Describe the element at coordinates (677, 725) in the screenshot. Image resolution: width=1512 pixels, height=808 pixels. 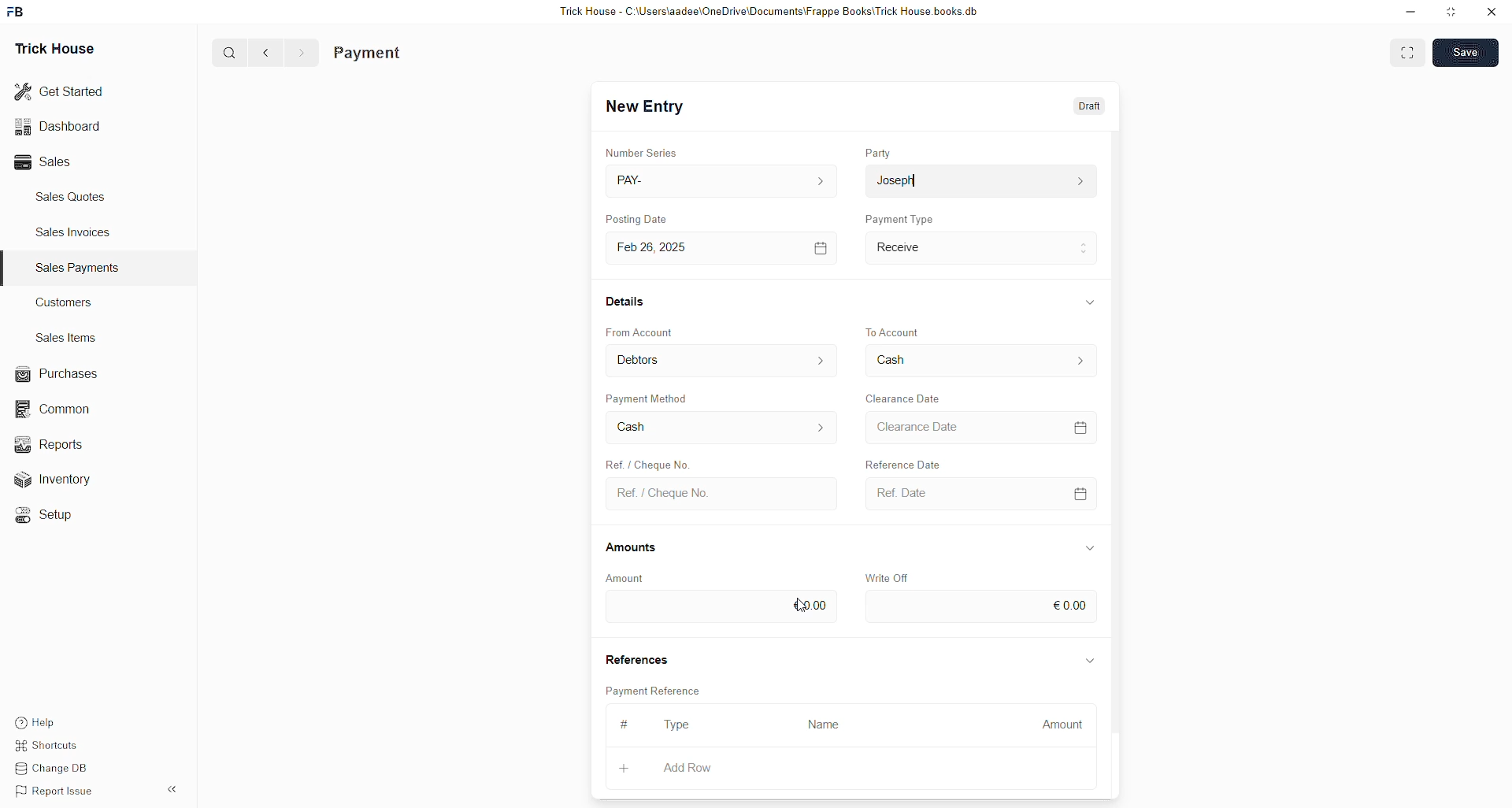
I see `Type` at that location.